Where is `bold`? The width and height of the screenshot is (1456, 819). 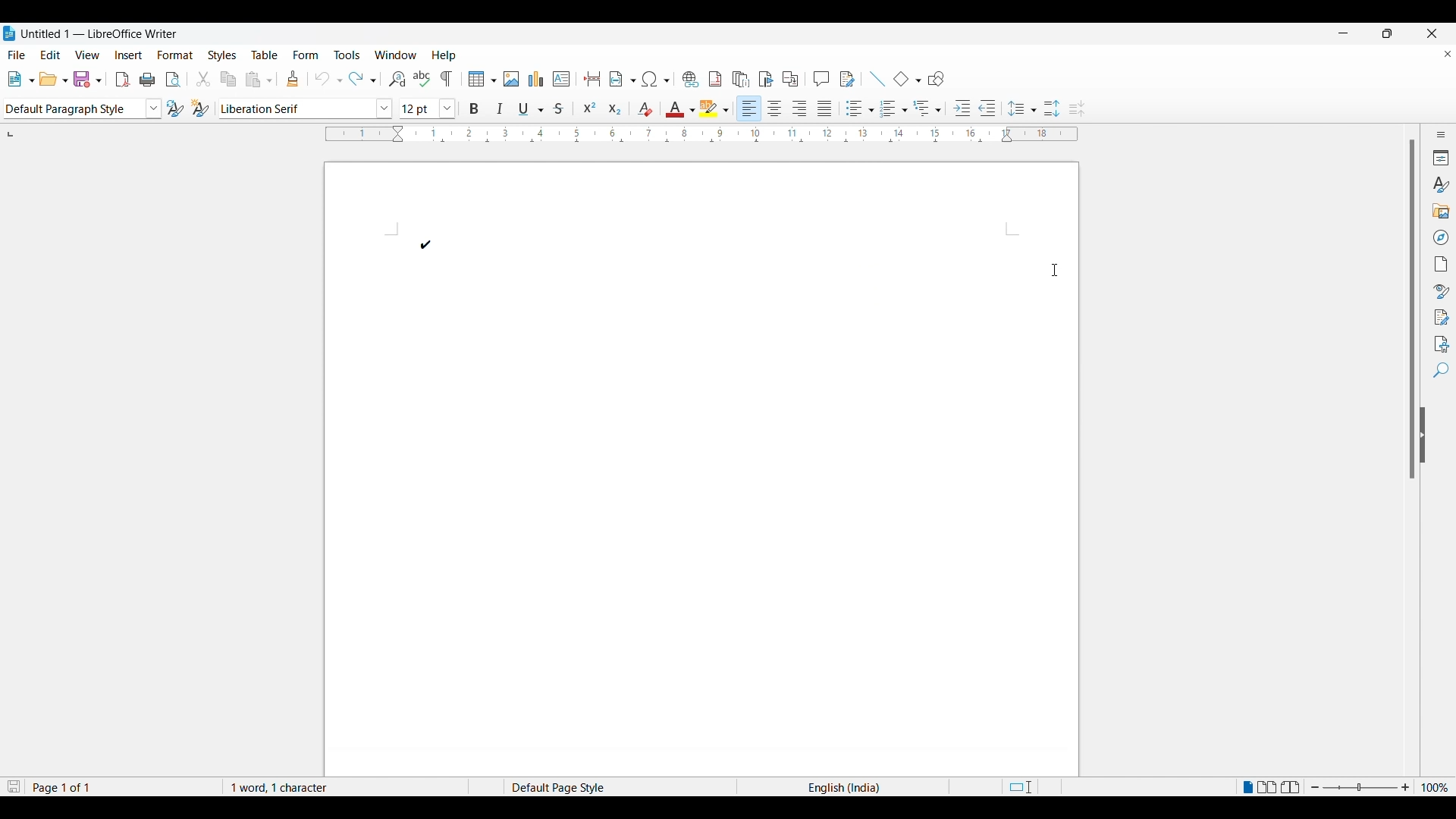
bold is located at coordinates (474, 108).